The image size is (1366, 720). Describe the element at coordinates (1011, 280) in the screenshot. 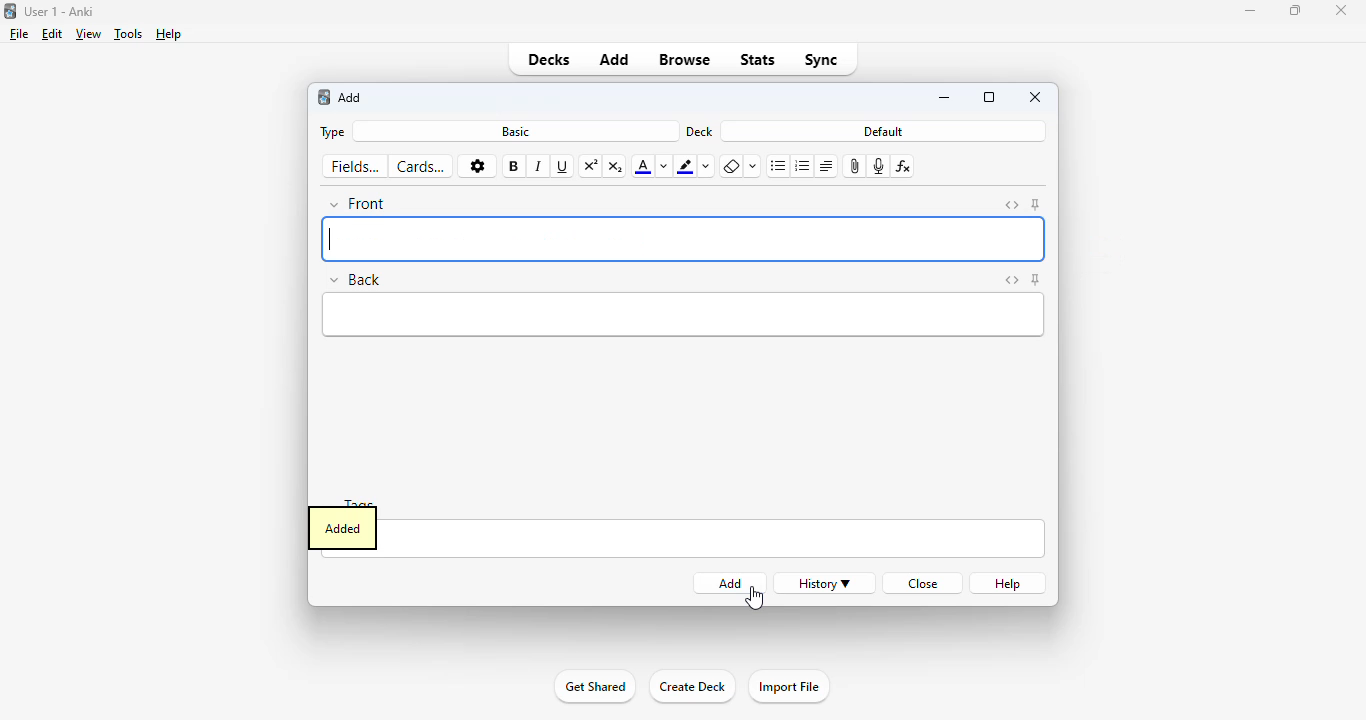

I see `toggle HTML editor` at that location.